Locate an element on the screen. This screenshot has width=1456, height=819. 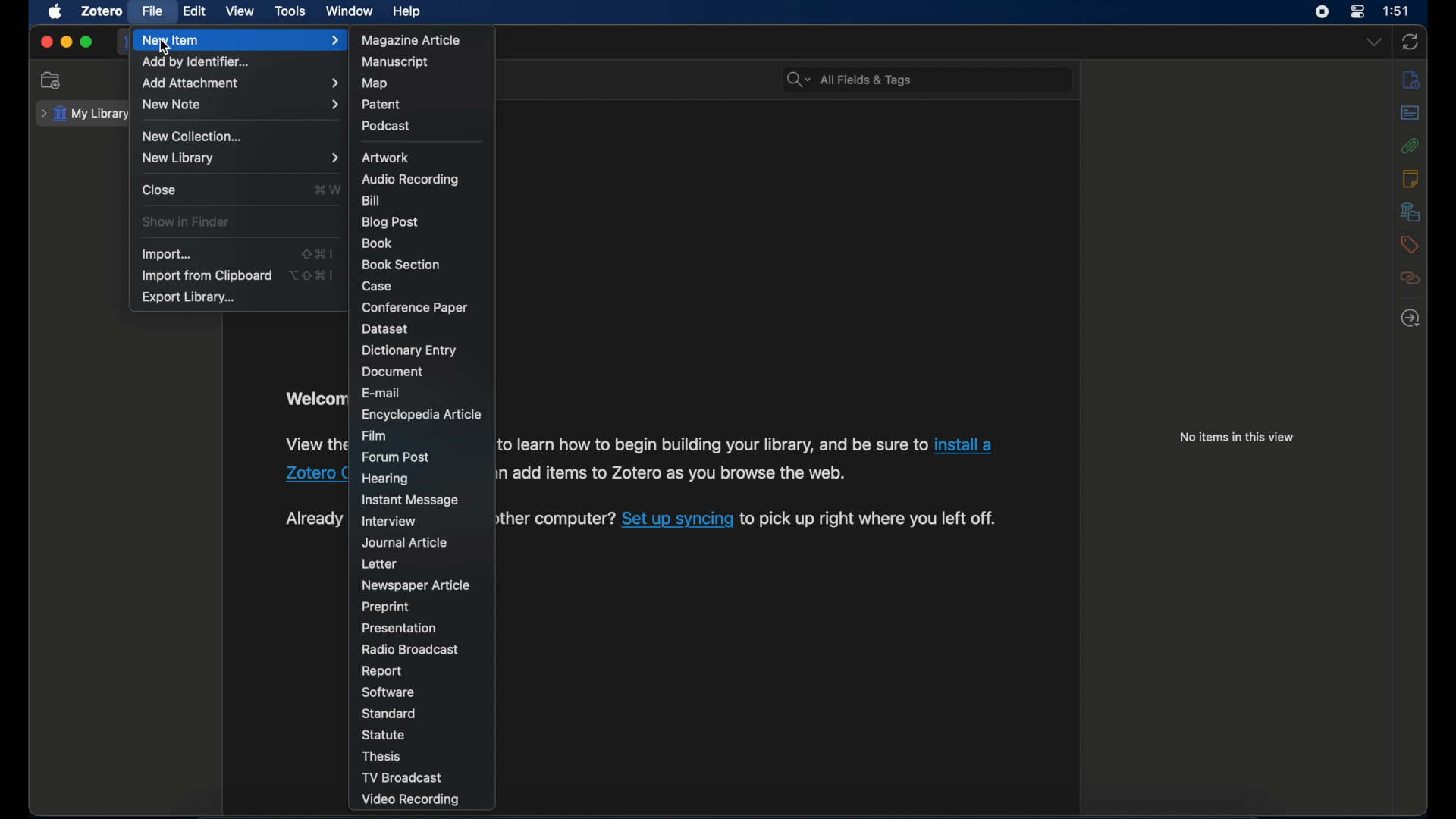
new item is located at coordinates (240, 40).